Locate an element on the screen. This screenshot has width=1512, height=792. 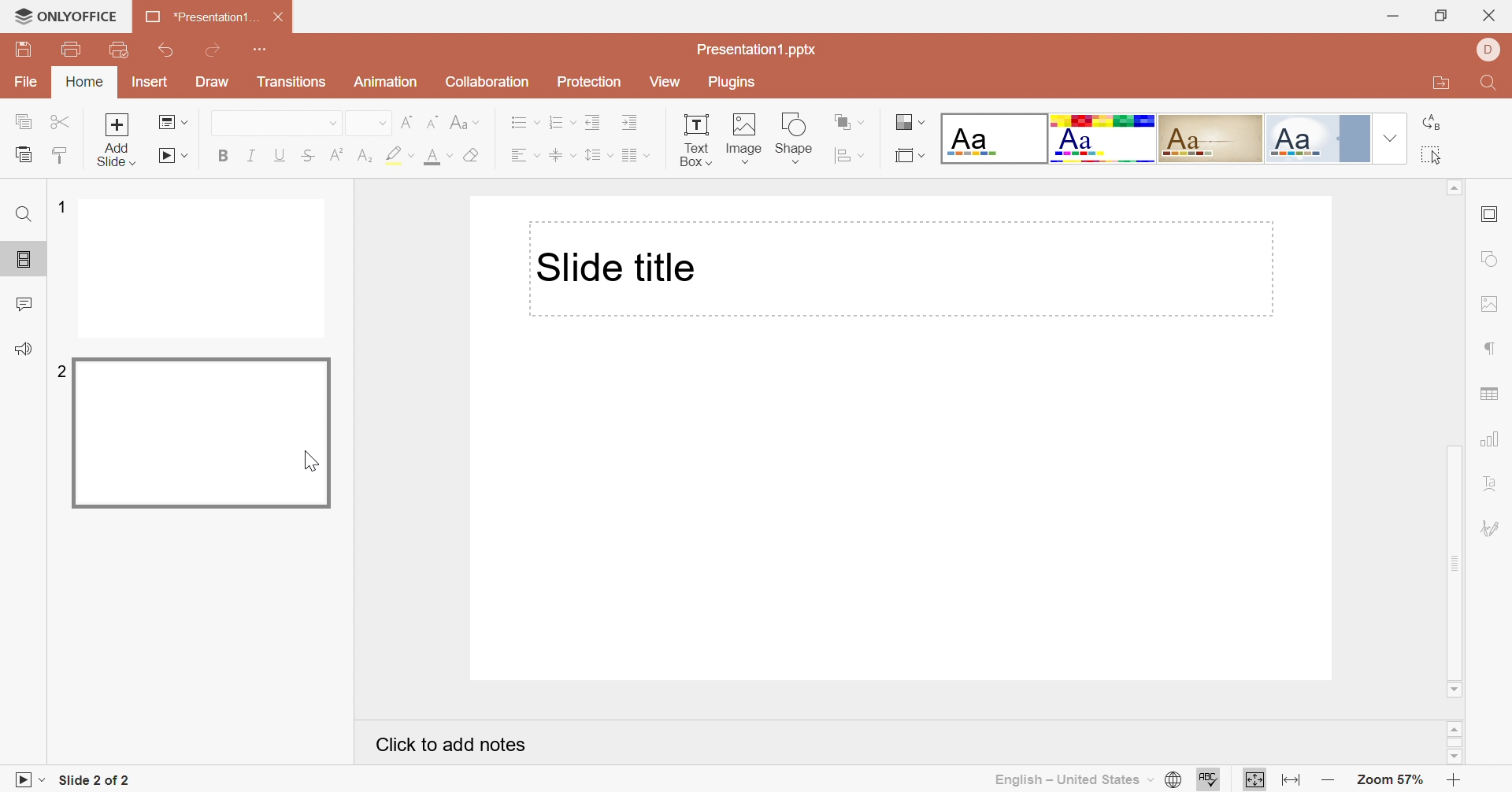
Print files is located at coordinates (72, 46).